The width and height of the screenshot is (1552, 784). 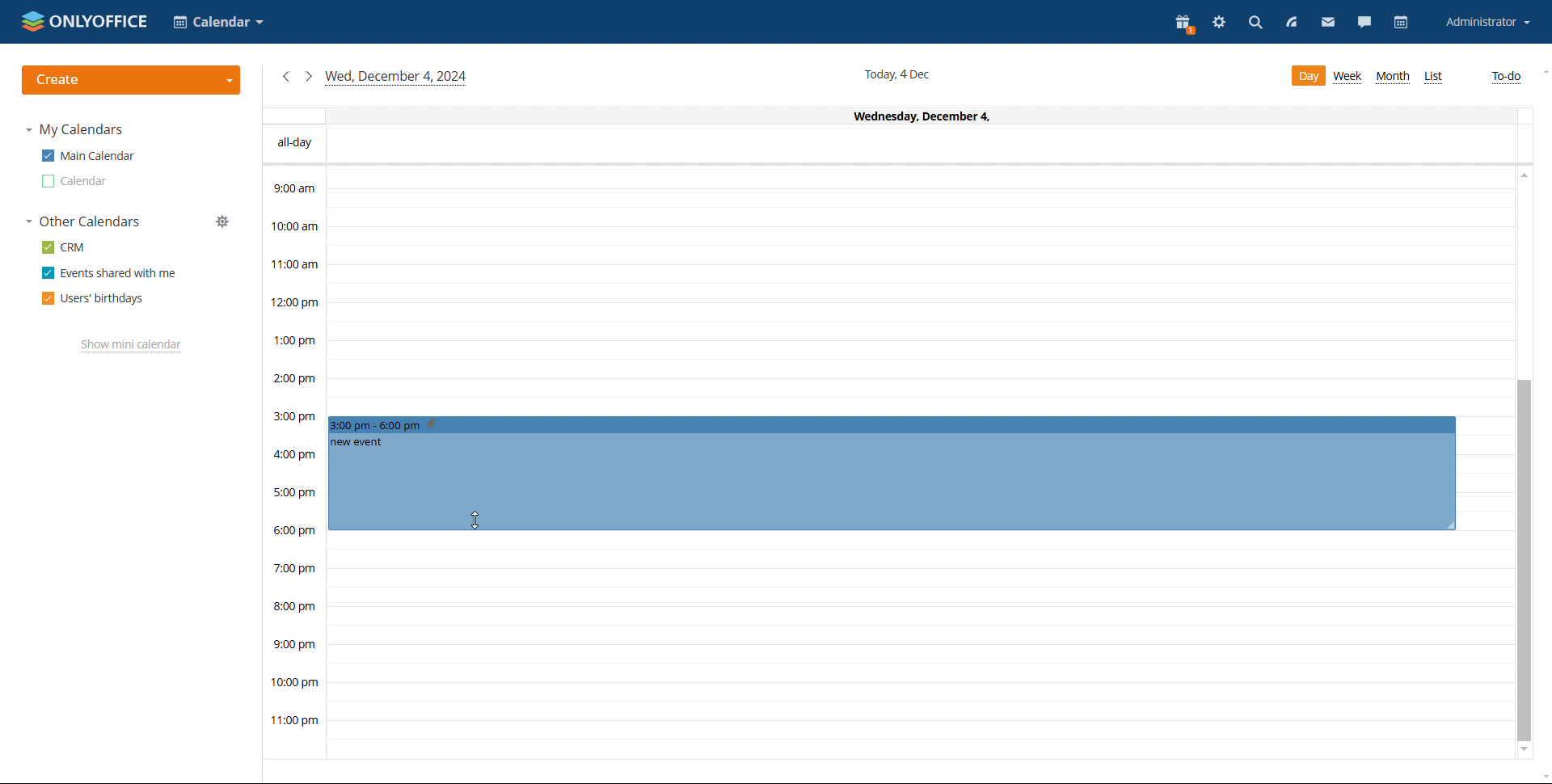 I want to click on scroll up, so click(x=1542, y=73).